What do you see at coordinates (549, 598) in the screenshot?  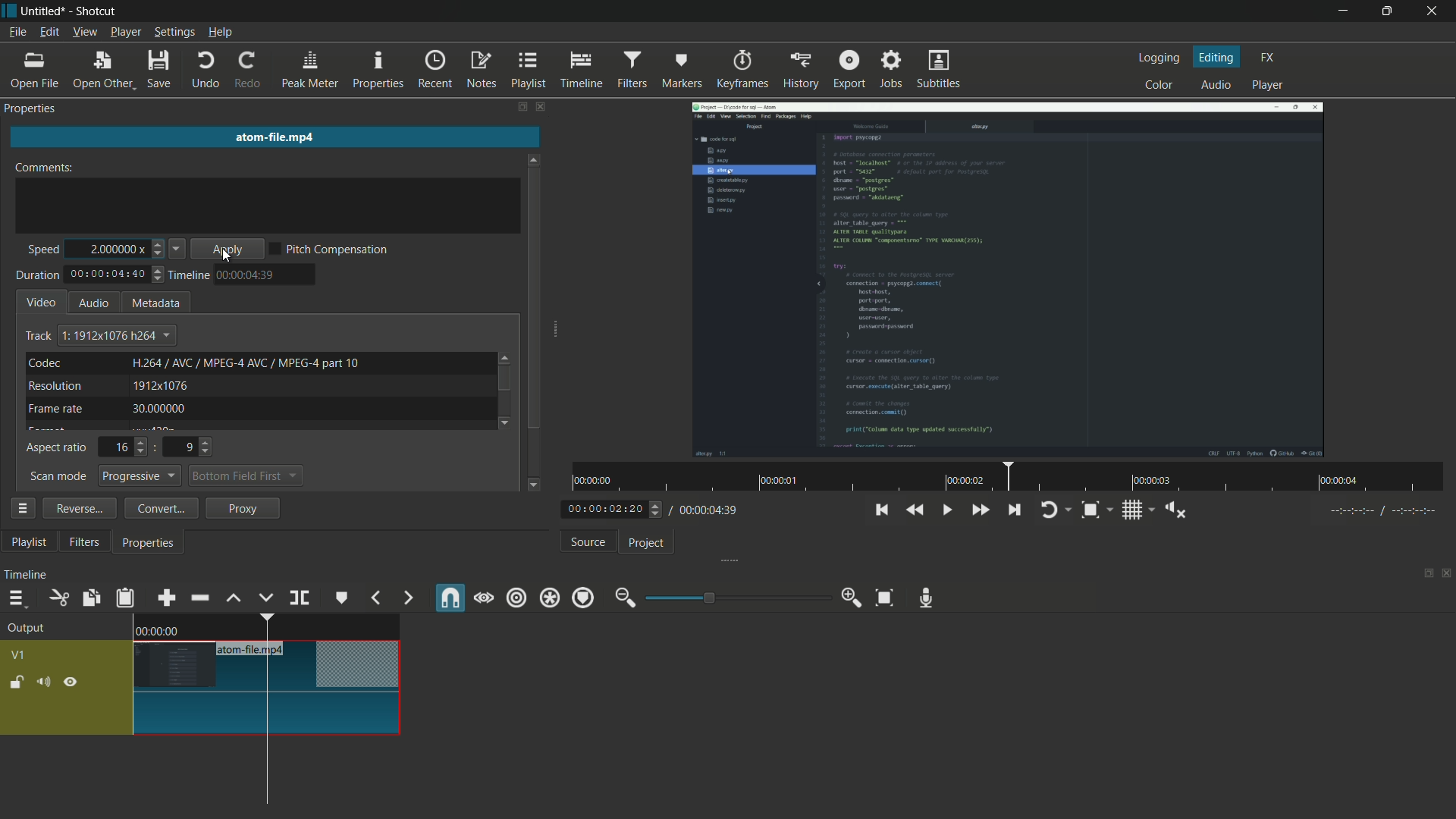 I see `ripple all tracks` at bounding box center [549, 598].